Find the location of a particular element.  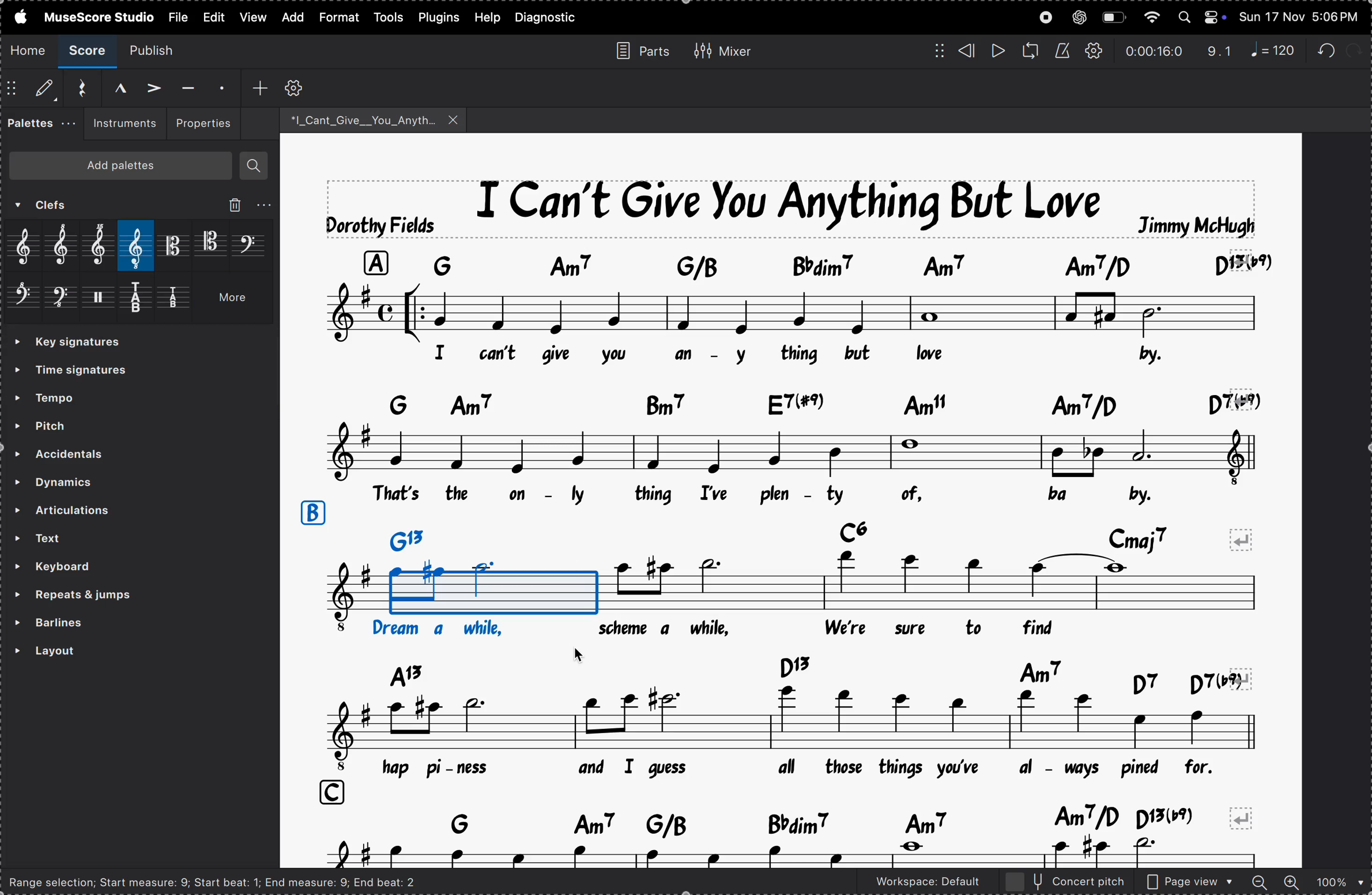

notes is located at coordinates (342, 592).